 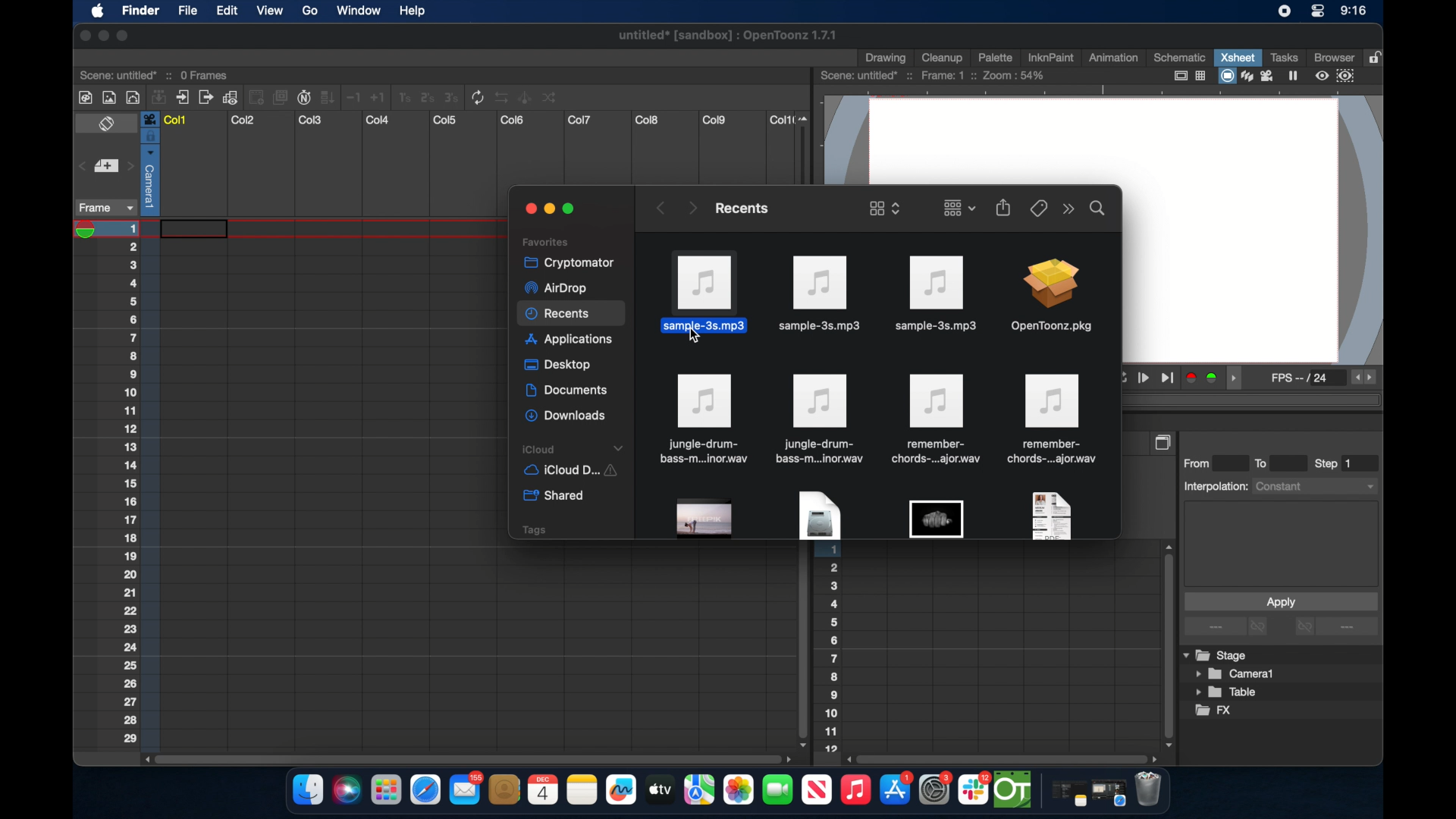 I want to click on contacts, so click(x=505, y=789).